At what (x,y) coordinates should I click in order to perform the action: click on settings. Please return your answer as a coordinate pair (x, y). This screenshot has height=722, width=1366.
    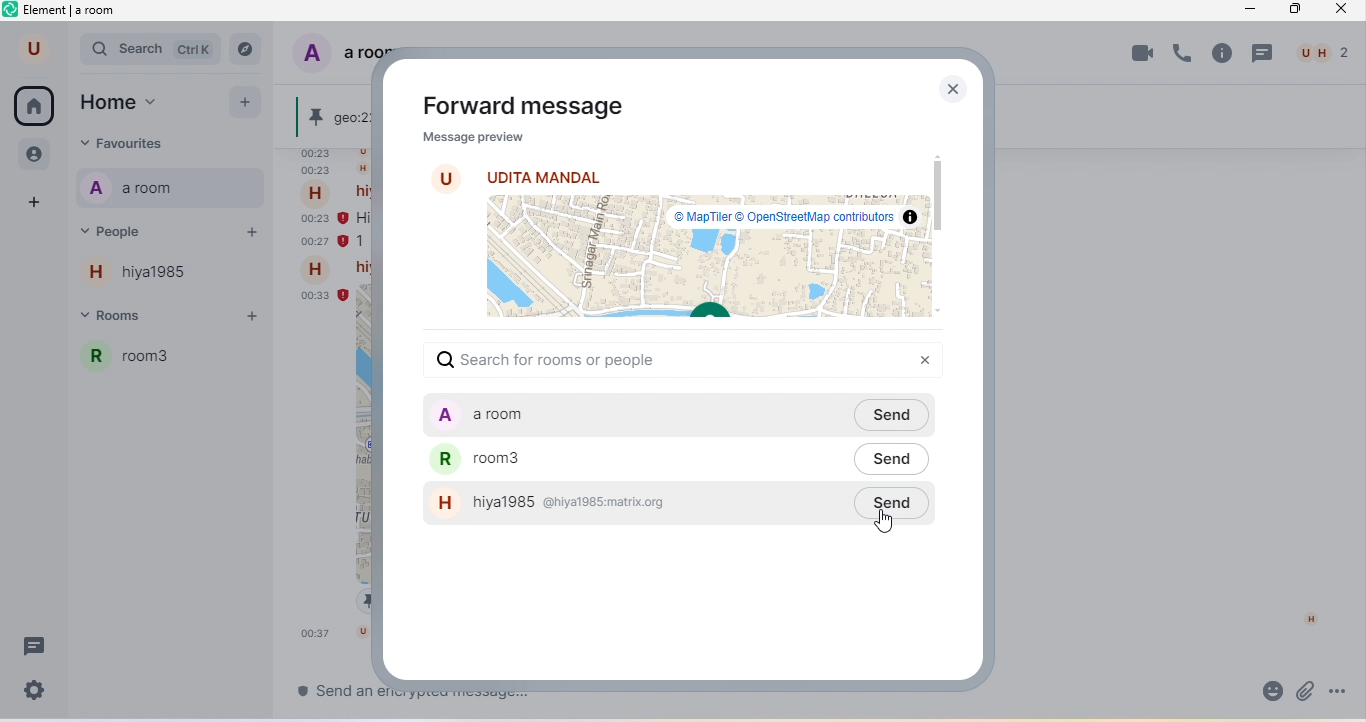
    Looking at the image, I should click on (37, 690).